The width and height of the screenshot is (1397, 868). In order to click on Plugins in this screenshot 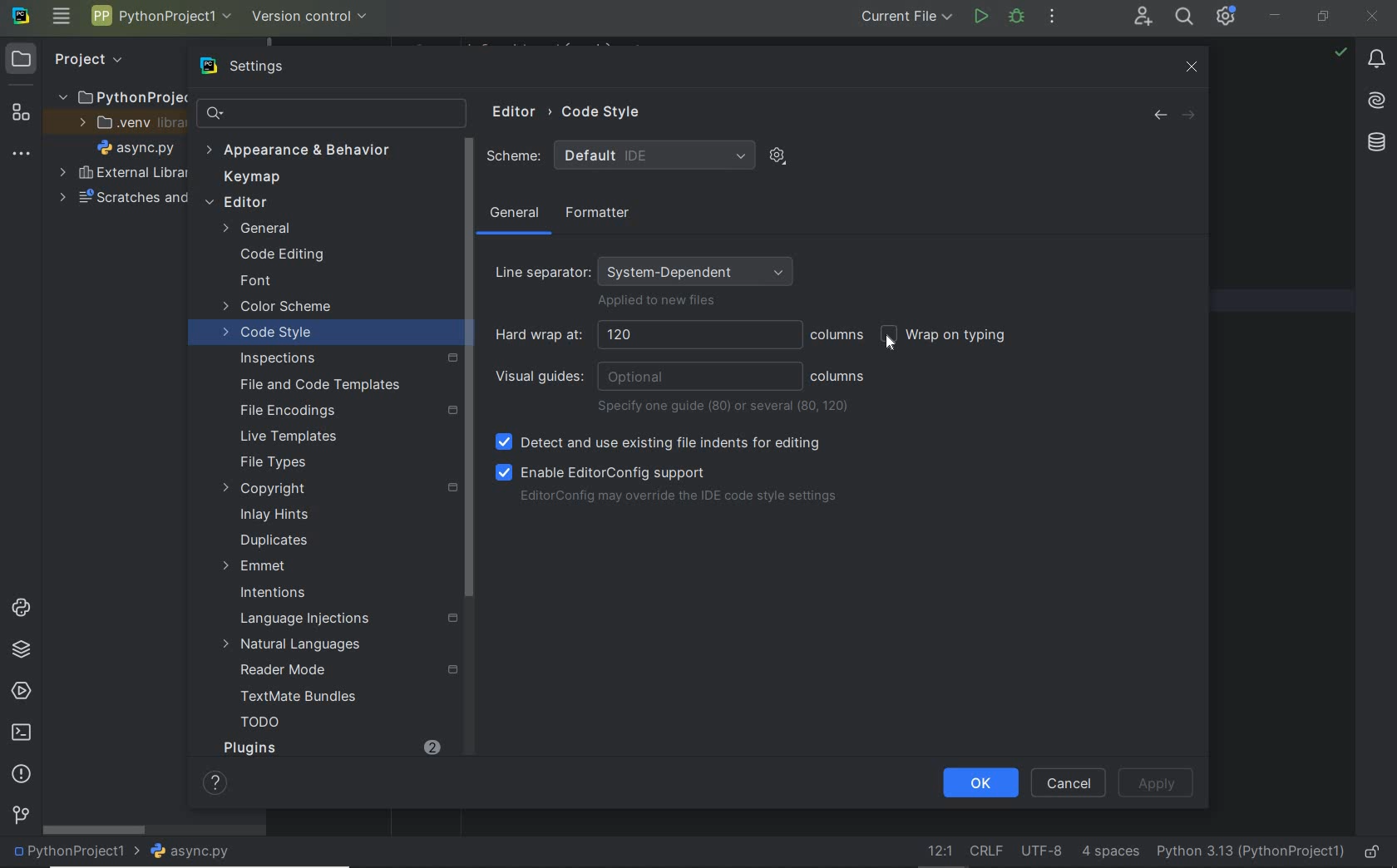, I will do `click(249, 747)`.